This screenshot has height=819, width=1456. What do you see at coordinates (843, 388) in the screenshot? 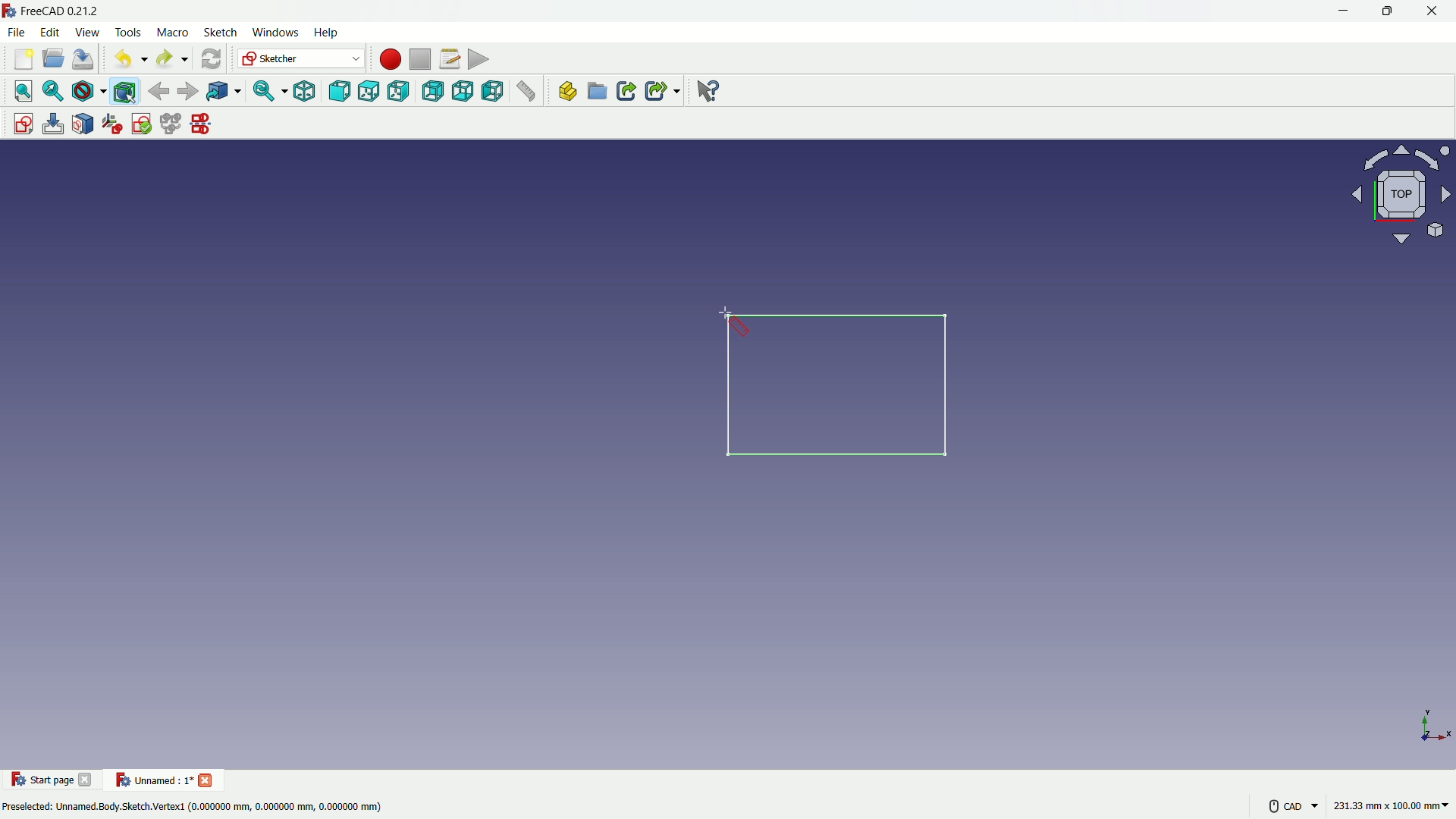
I see `rectangle` at bounding box center [843, 388].